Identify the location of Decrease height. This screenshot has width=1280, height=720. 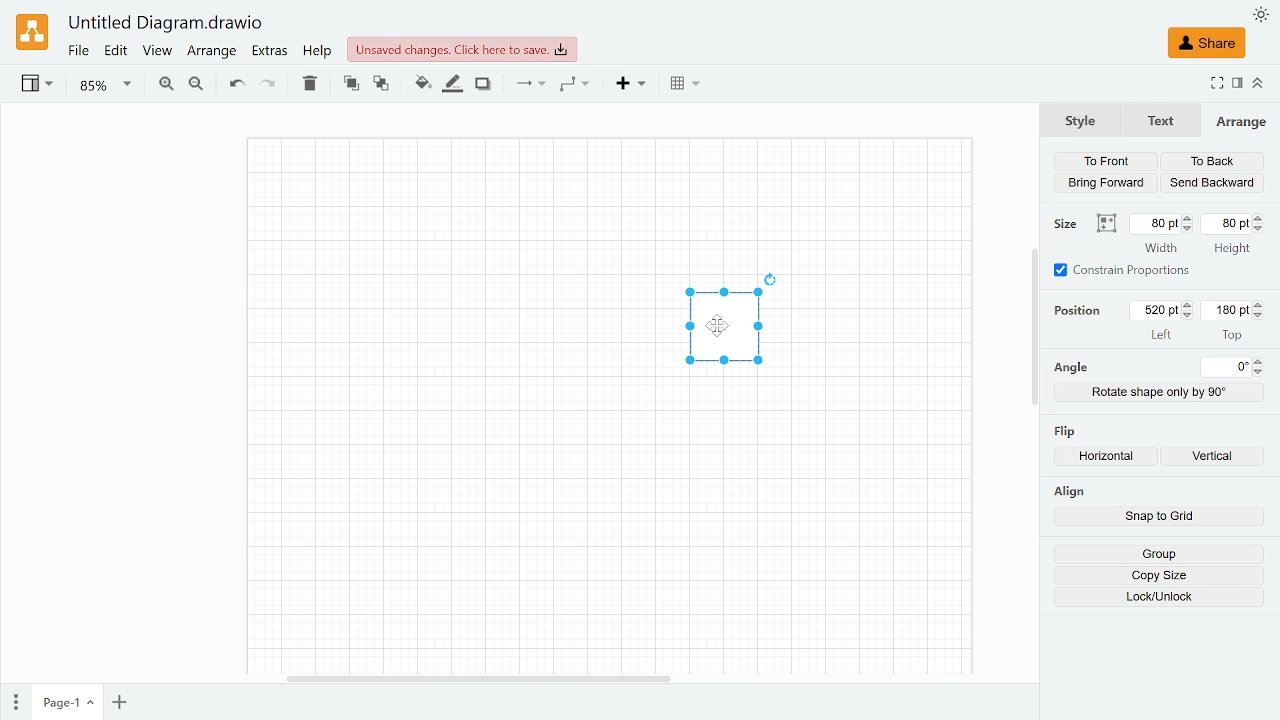
(1262, 229).